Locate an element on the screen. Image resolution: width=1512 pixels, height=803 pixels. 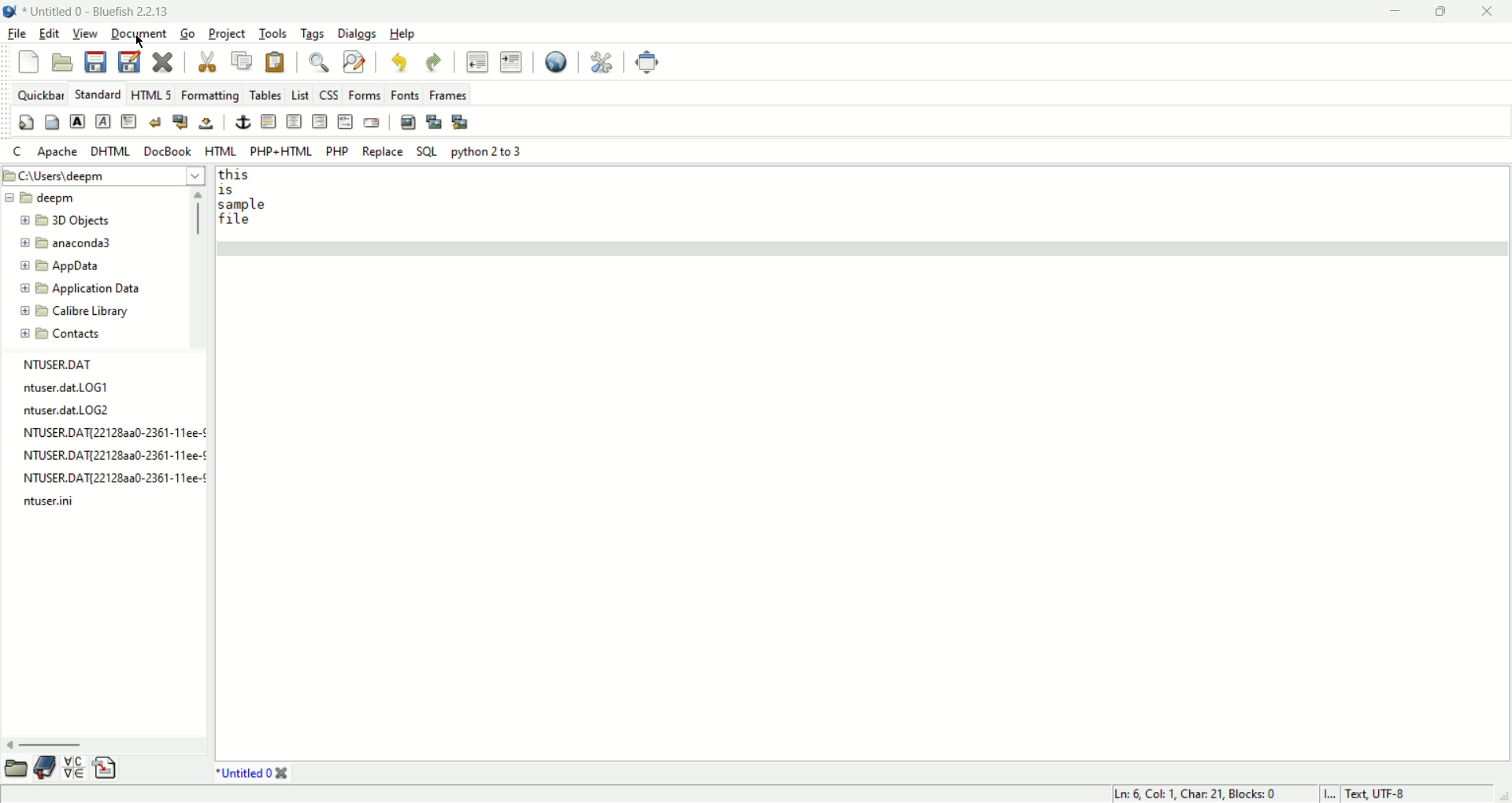
cursor is located at coordinates (138, 41).